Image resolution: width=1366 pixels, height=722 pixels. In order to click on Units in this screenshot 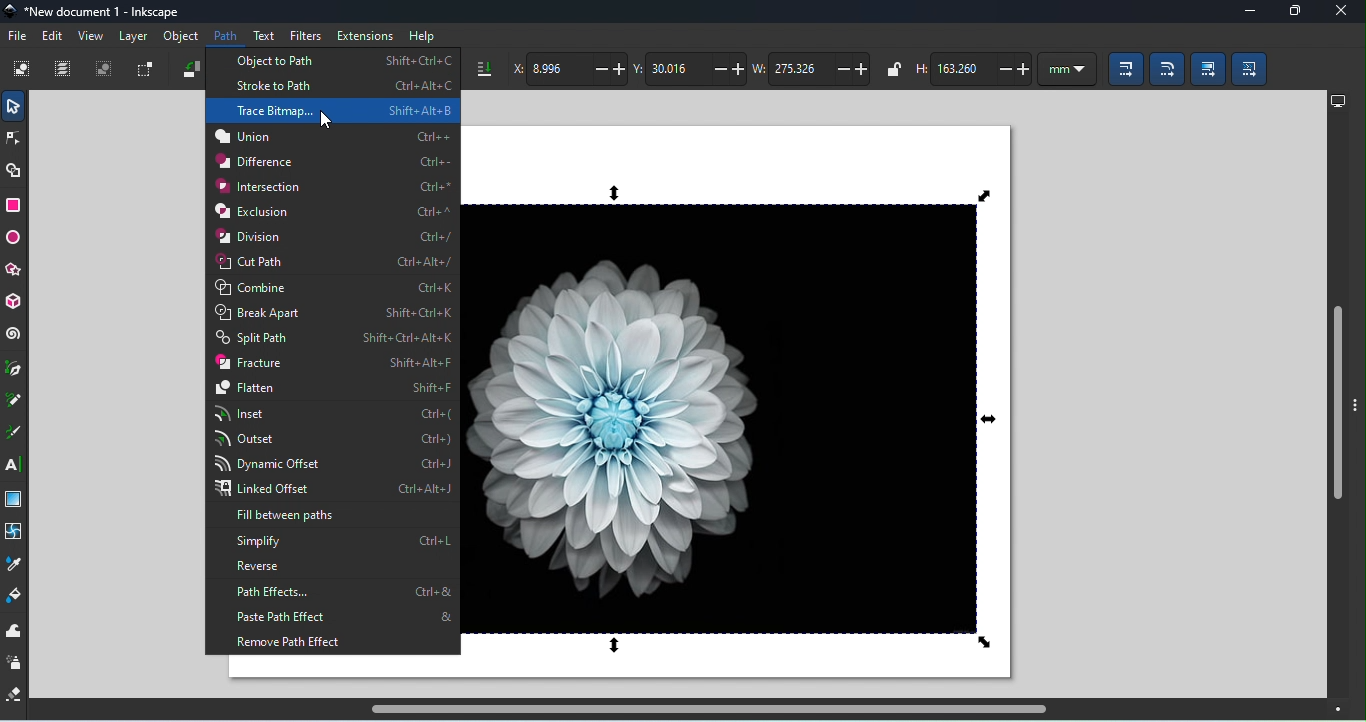, I will do `click(1066, 70)`.